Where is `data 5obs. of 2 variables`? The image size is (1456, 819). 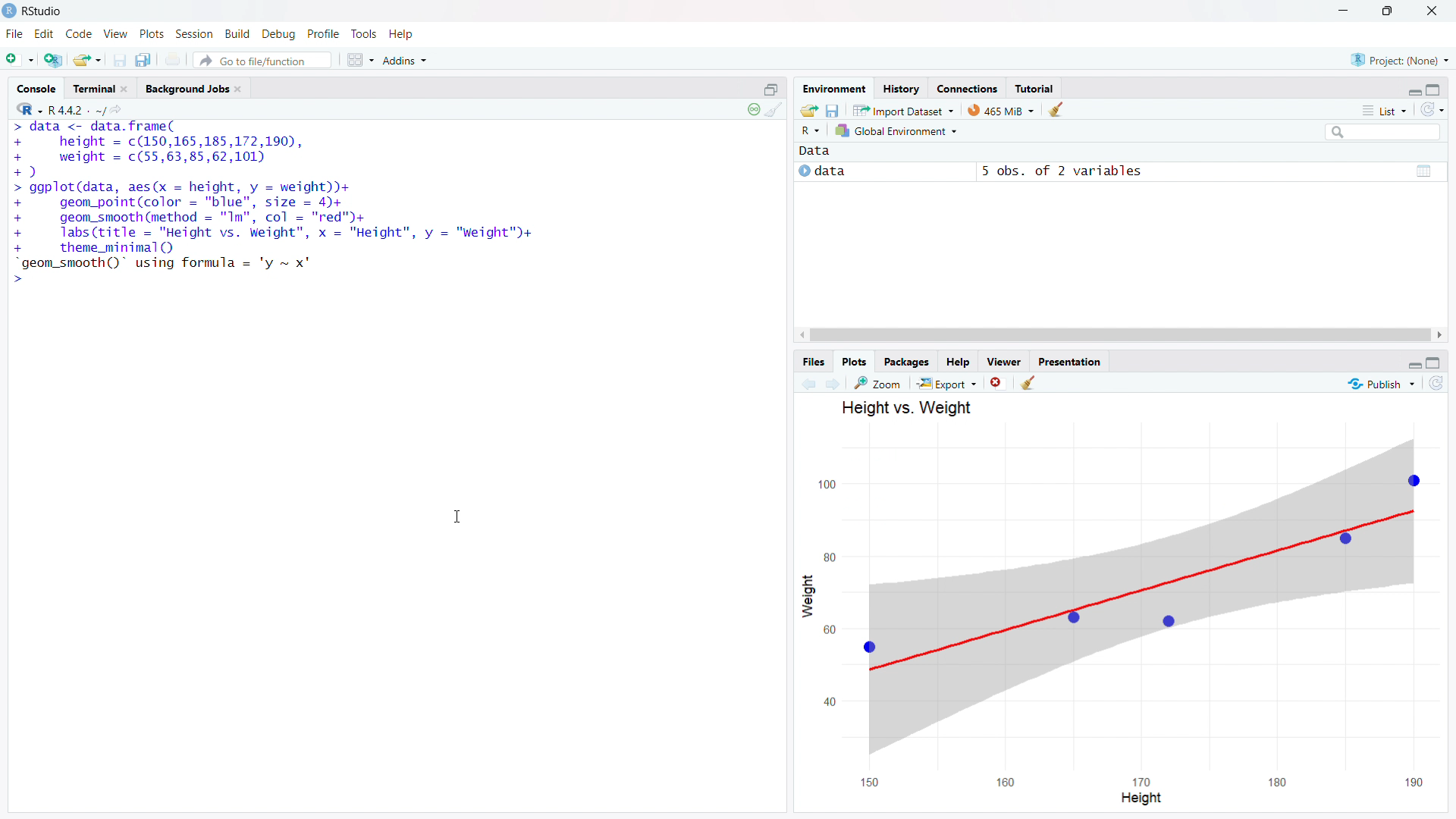
data 5obs. of 2 variables is located at coordinates (1119, 173).